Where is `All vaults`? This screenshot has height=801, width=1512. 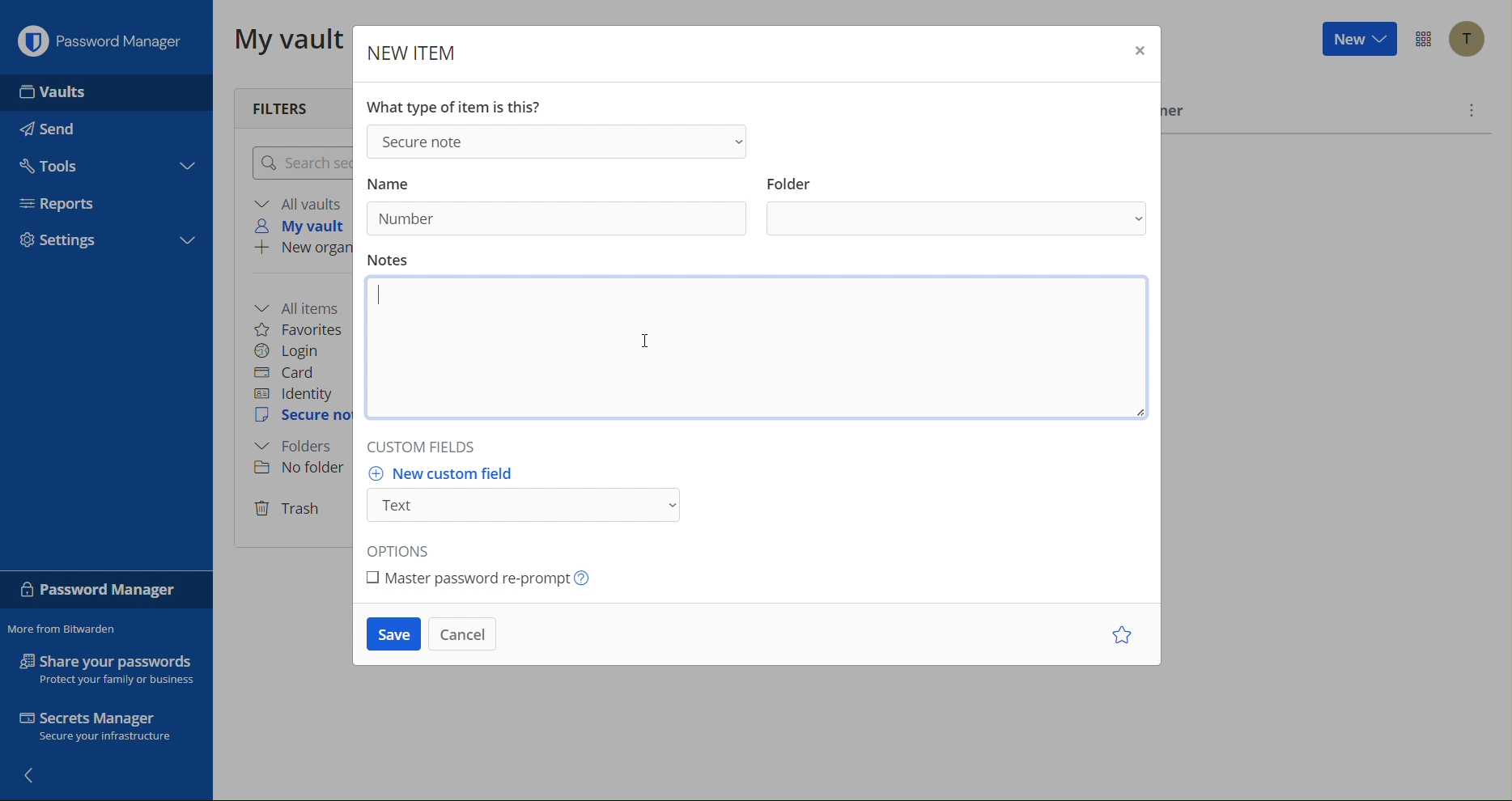
All vaults is located at coordinates (299, 203).